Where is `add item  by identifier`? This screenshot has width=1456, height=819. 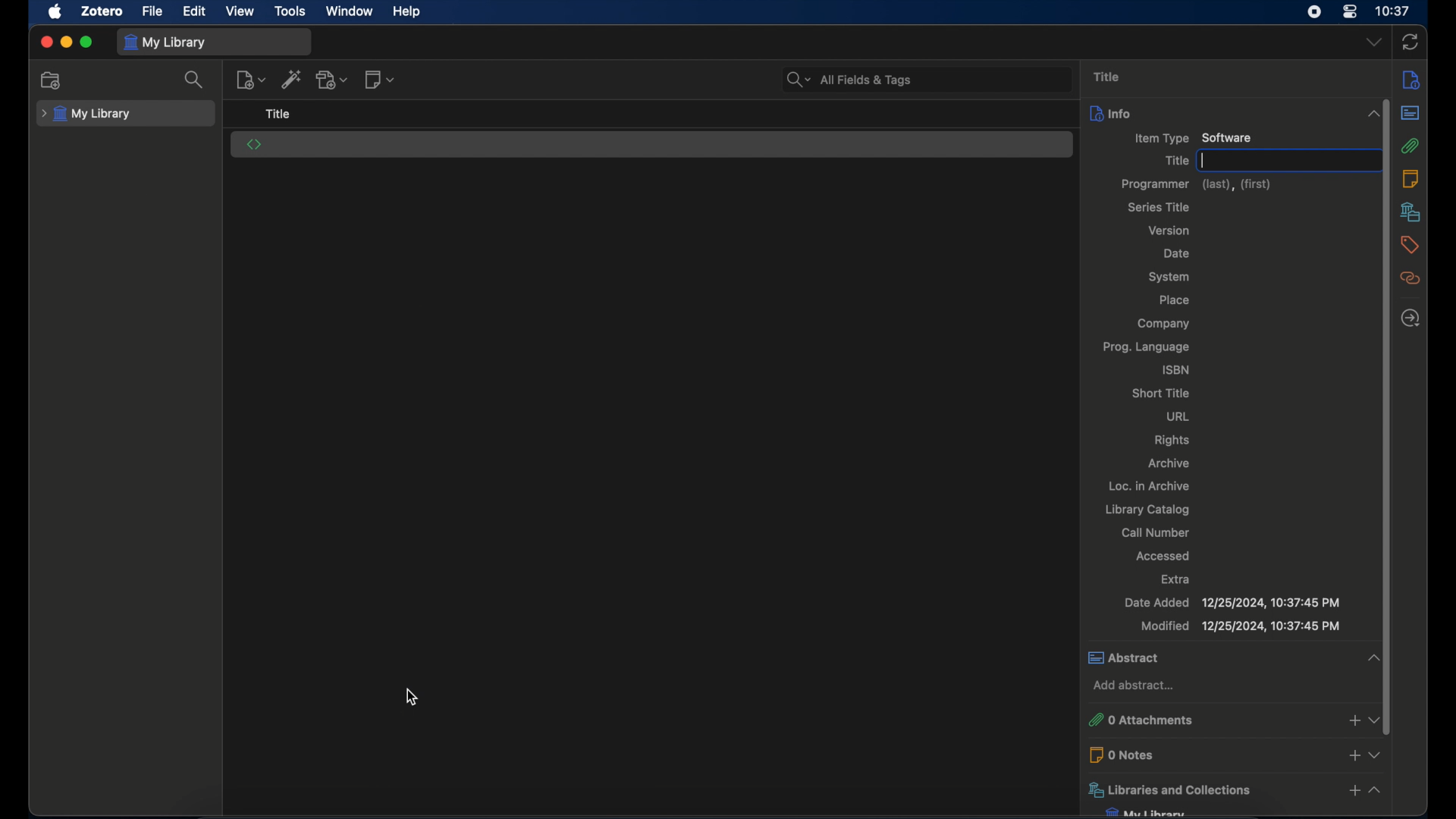
add item  by identifier is located at coordinates (292, 81).